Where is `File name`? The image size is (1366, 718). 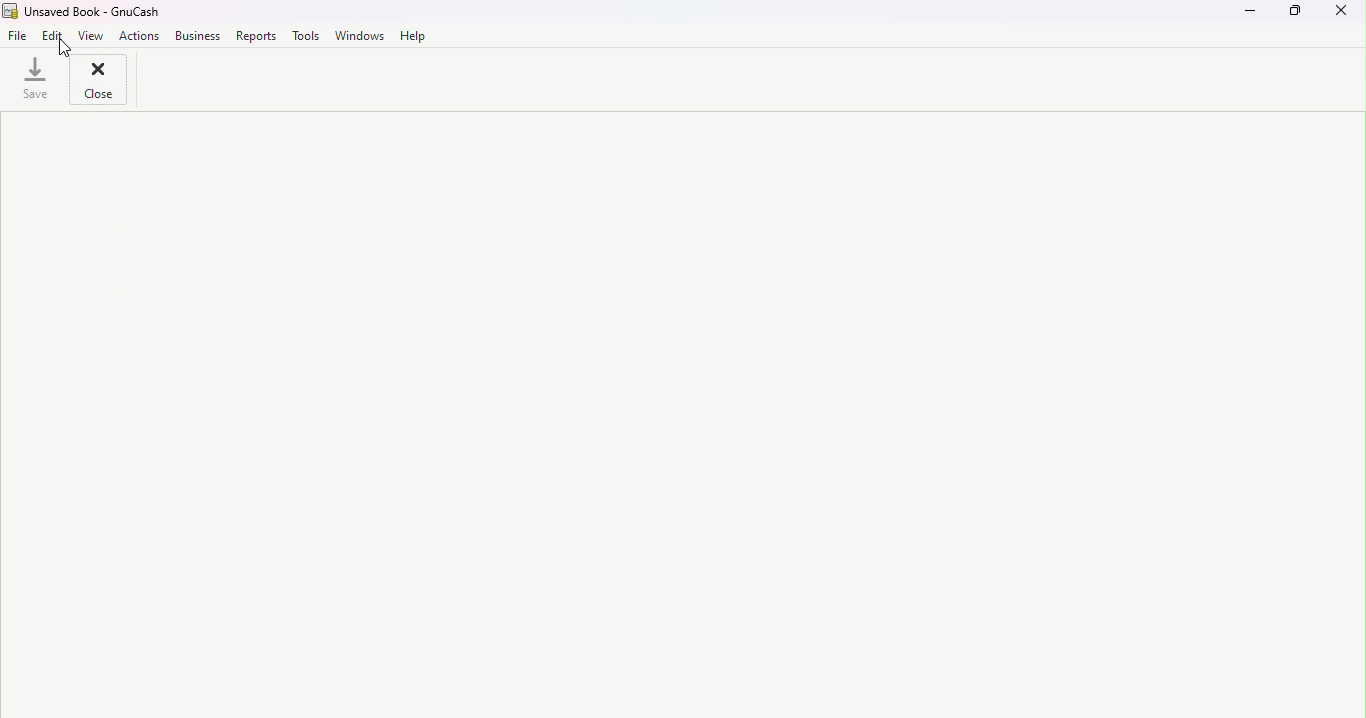
File name is located at coordinates (21, 38).